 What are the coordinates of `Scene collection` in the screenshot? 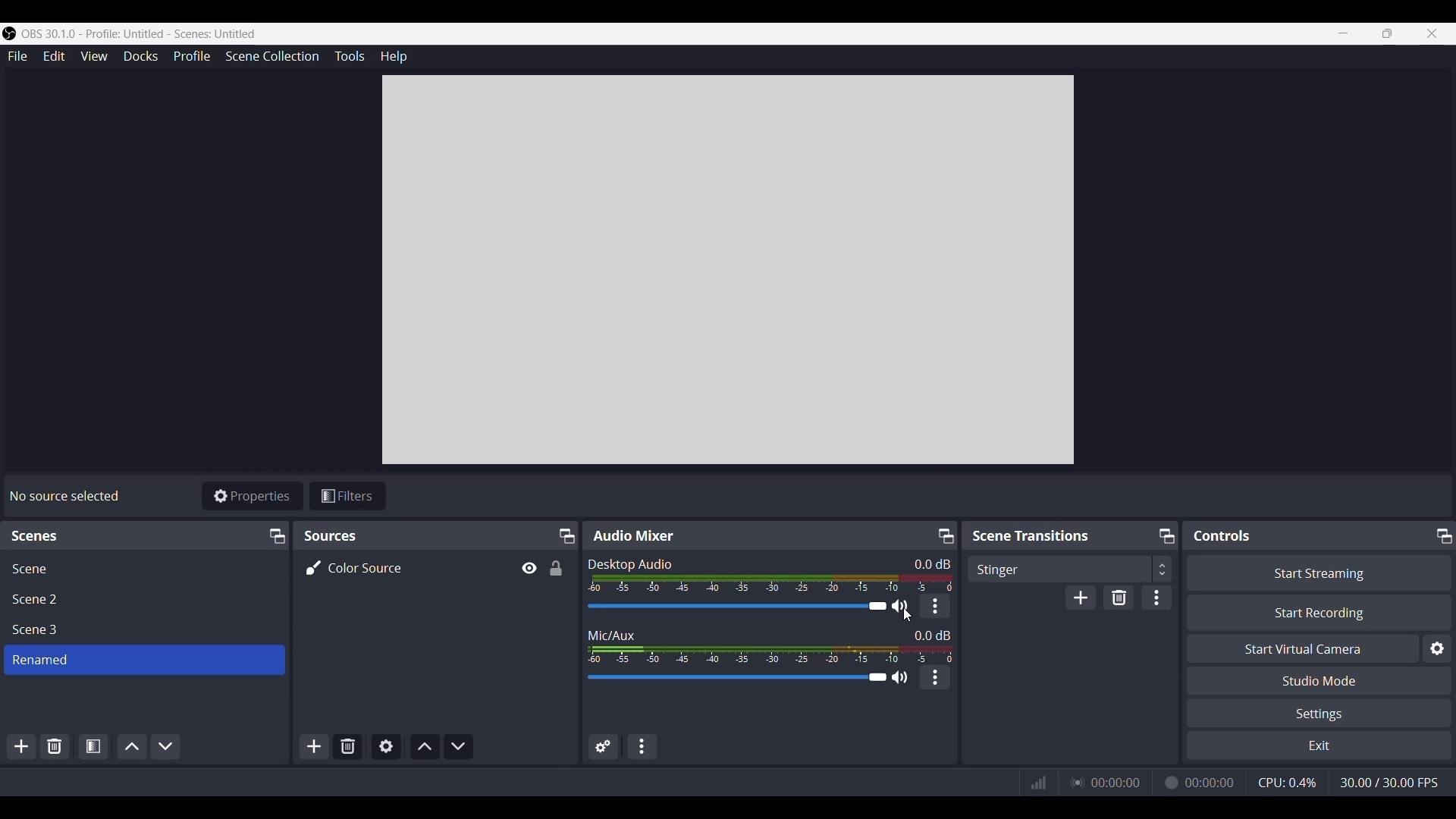 It's located at (272, 56).